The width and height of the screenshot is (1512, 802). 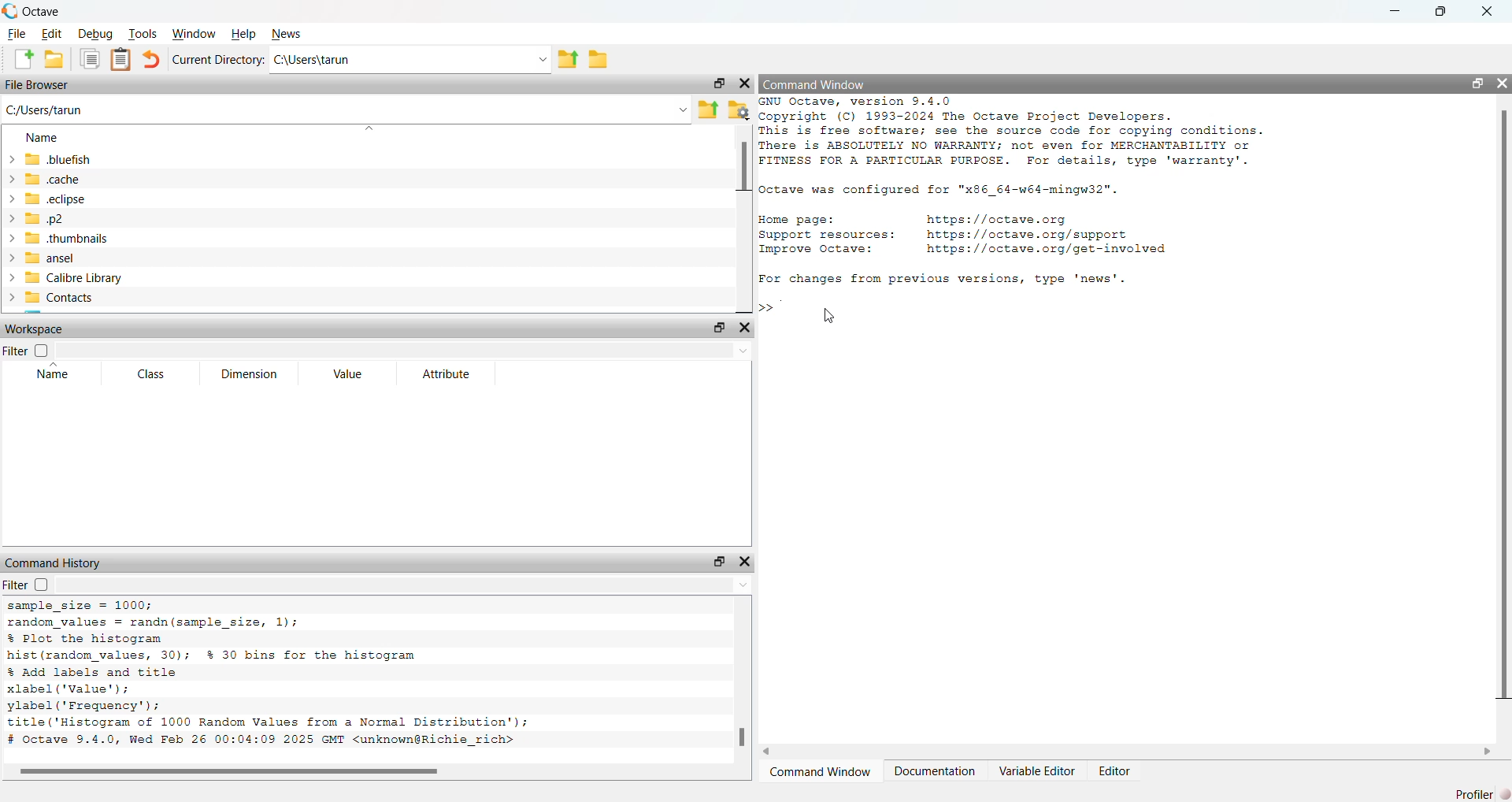 I want to click on minimize, so click(x=1395, y=11).